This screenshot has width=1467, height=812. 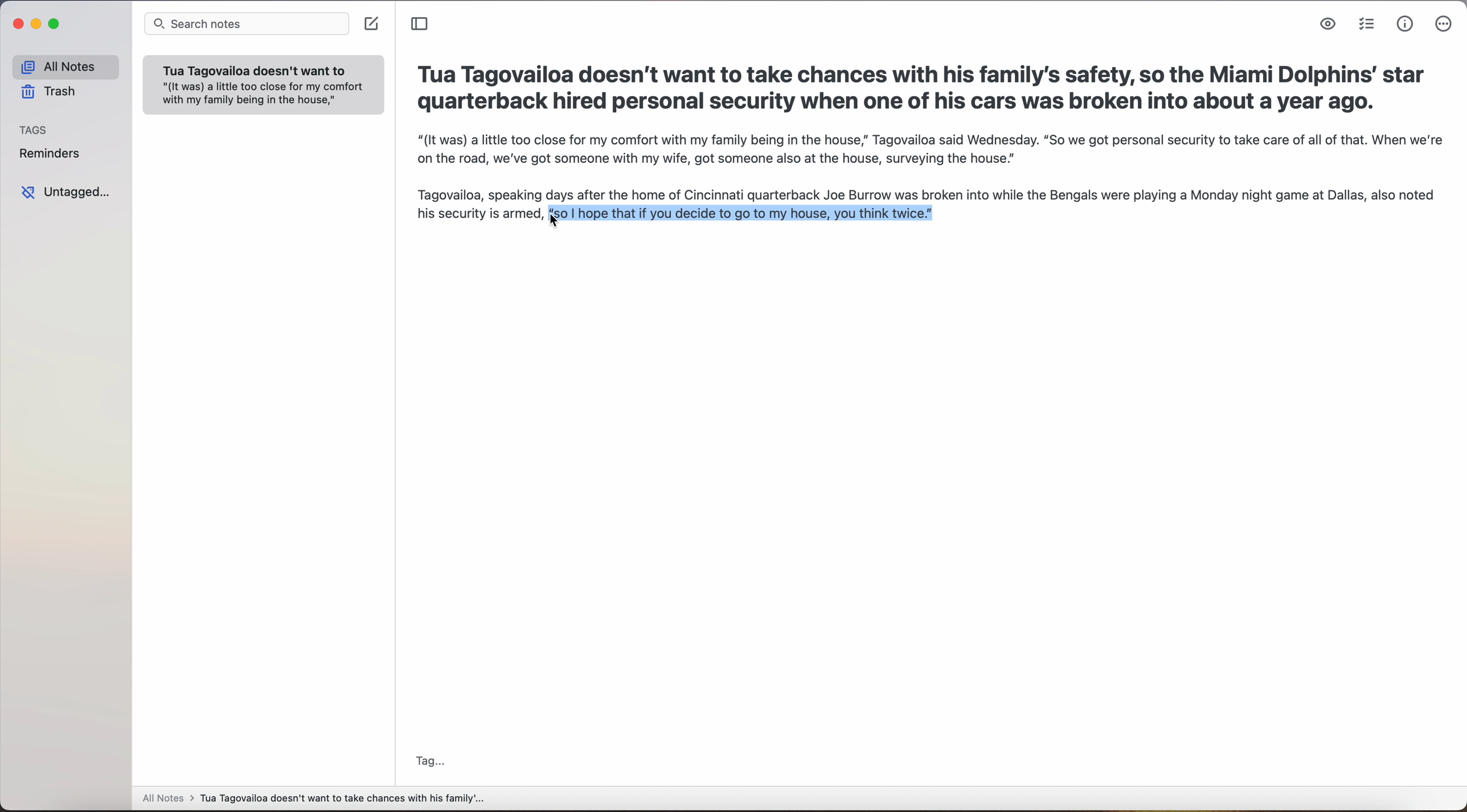 I want to click on all notes, so click(x=64, y=67).